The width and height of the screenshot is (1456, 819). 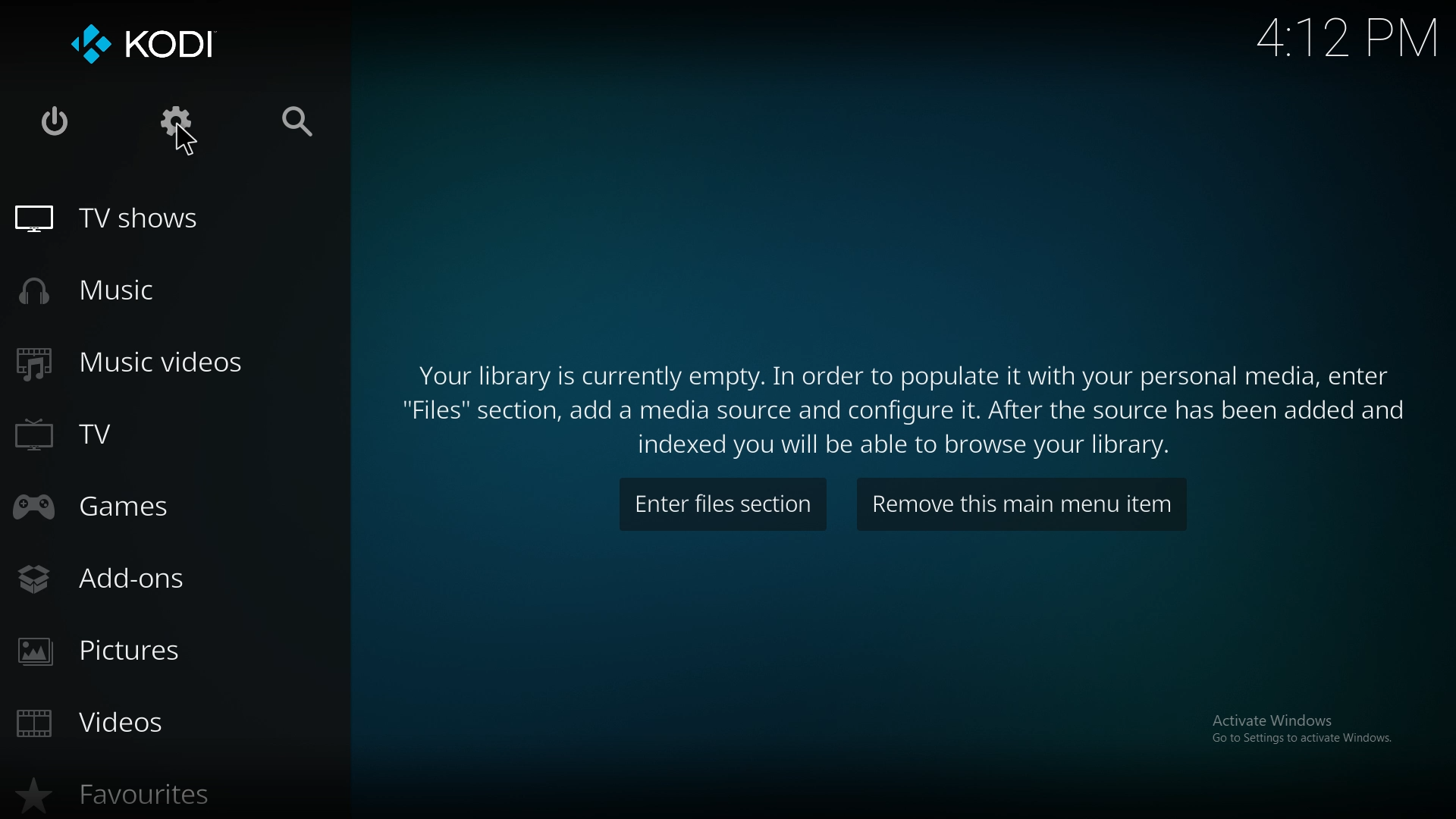 I want to click on close, so click(x=55, y=122).